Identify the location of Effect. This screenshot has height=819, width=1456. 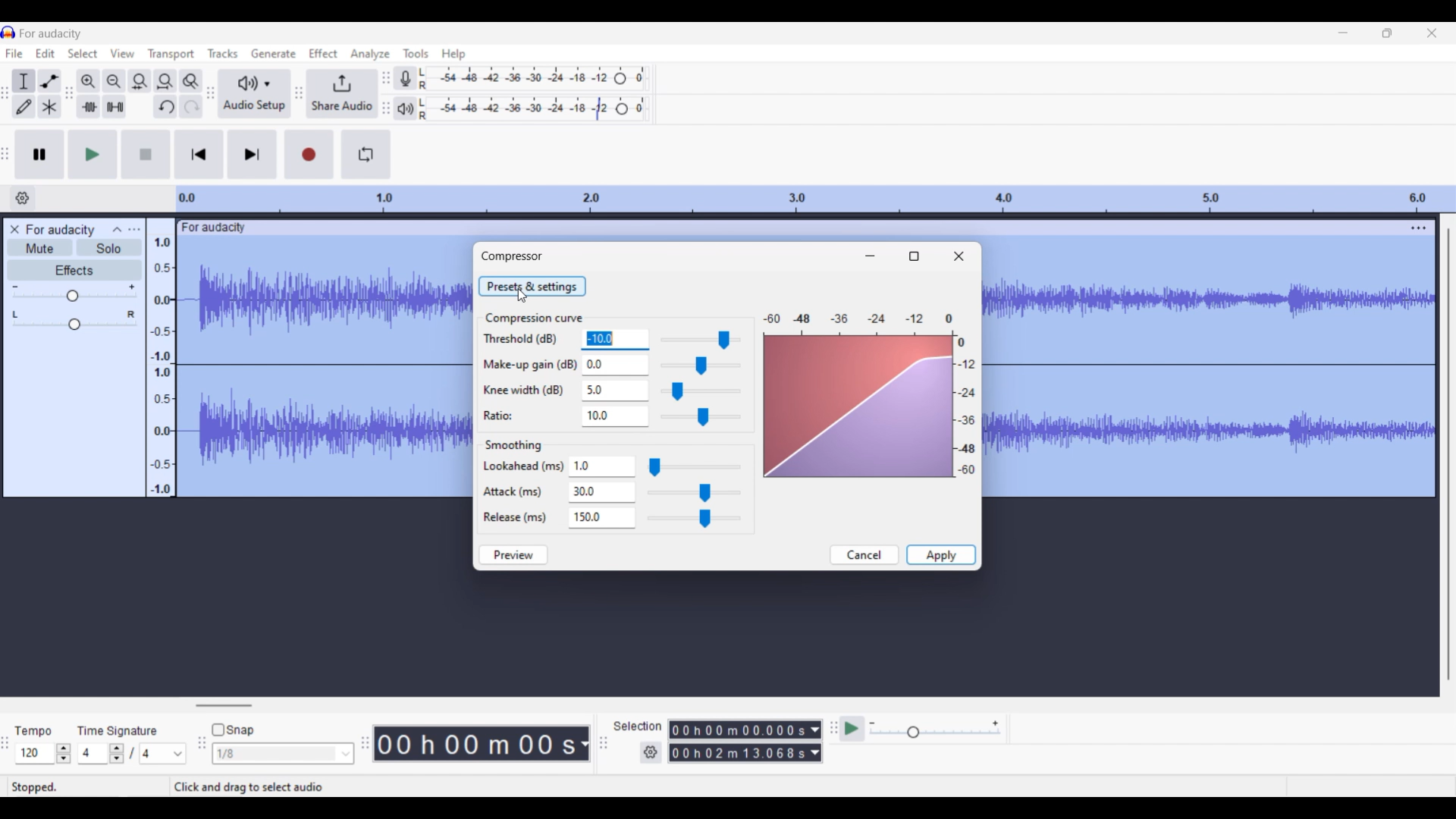
(323, 53).